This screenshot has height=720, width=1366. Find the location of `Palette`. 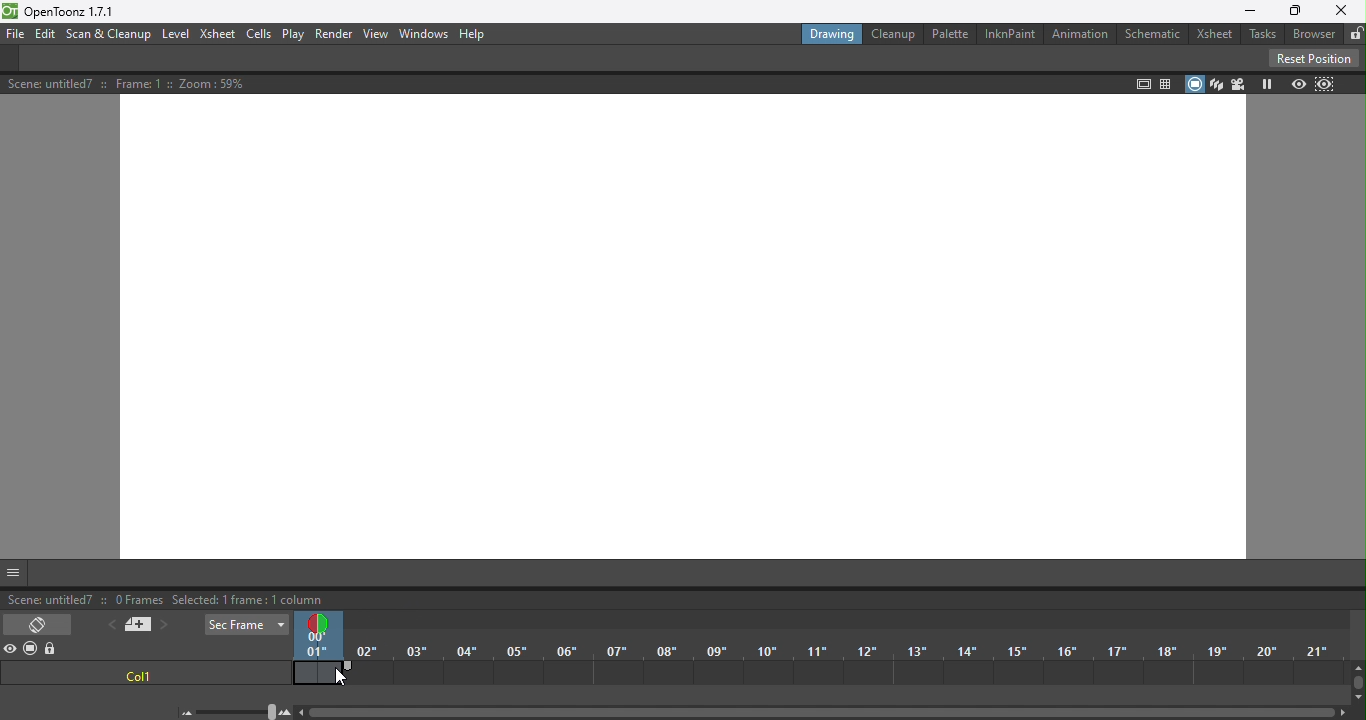

Palette is located at coordinates (951, 34).